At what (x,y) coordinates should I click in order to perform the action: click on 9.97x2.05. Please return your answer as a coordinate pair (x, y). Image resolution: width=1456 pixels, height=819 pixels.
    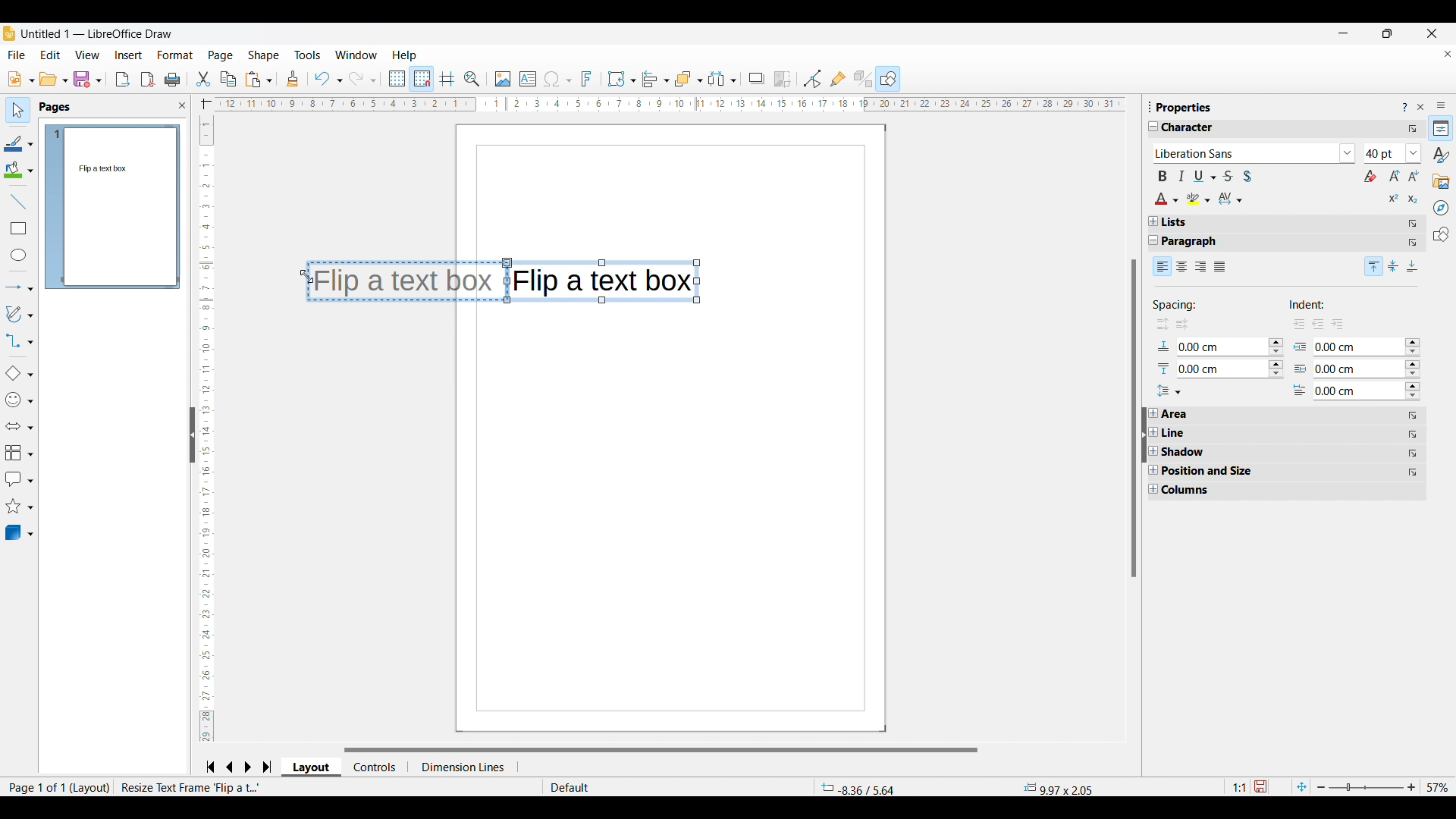
    Looking at the image, I should click on (1061, 788).